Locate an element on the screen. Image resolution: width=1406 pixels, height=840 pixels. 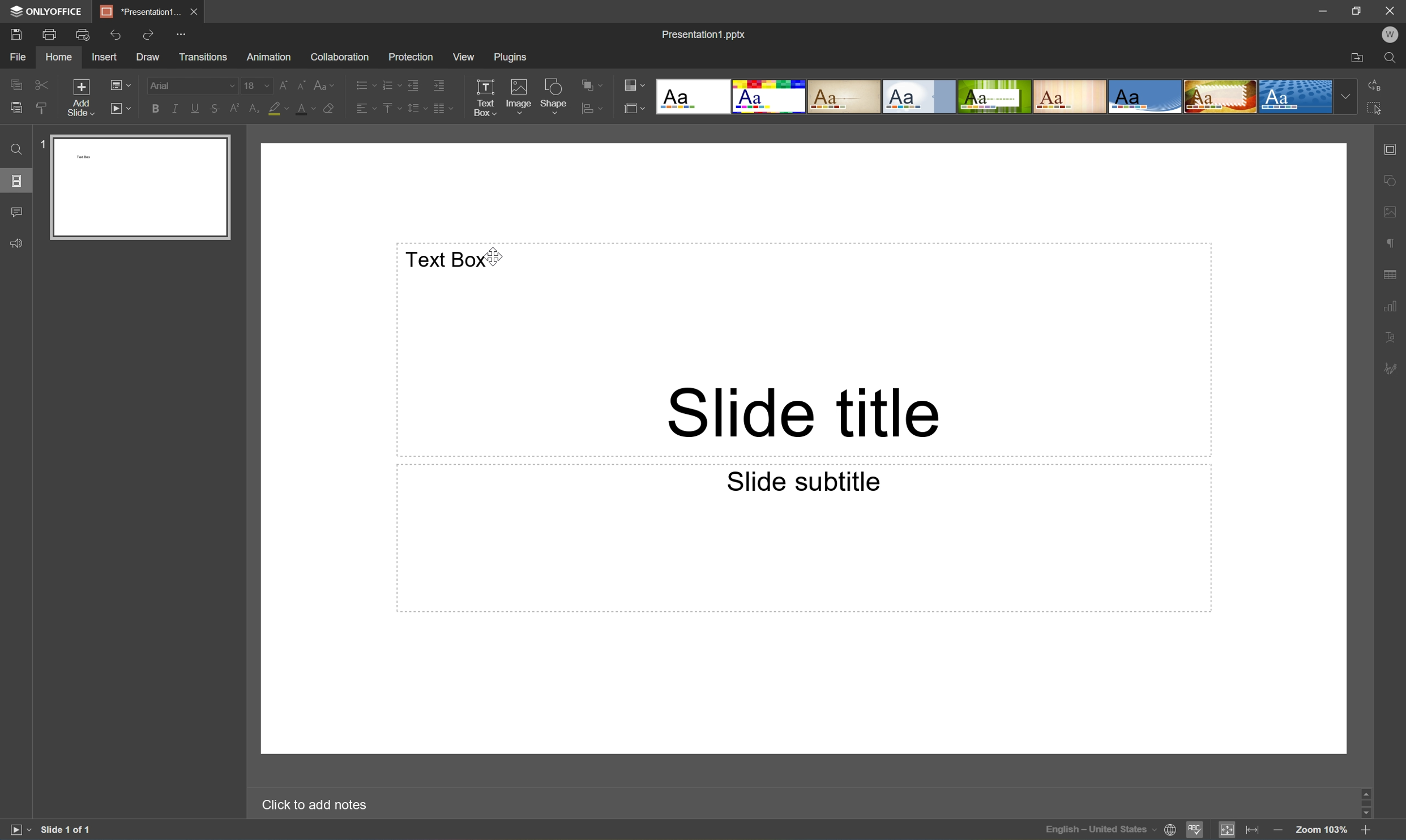
Text Box is located at coordinates (482, 97).